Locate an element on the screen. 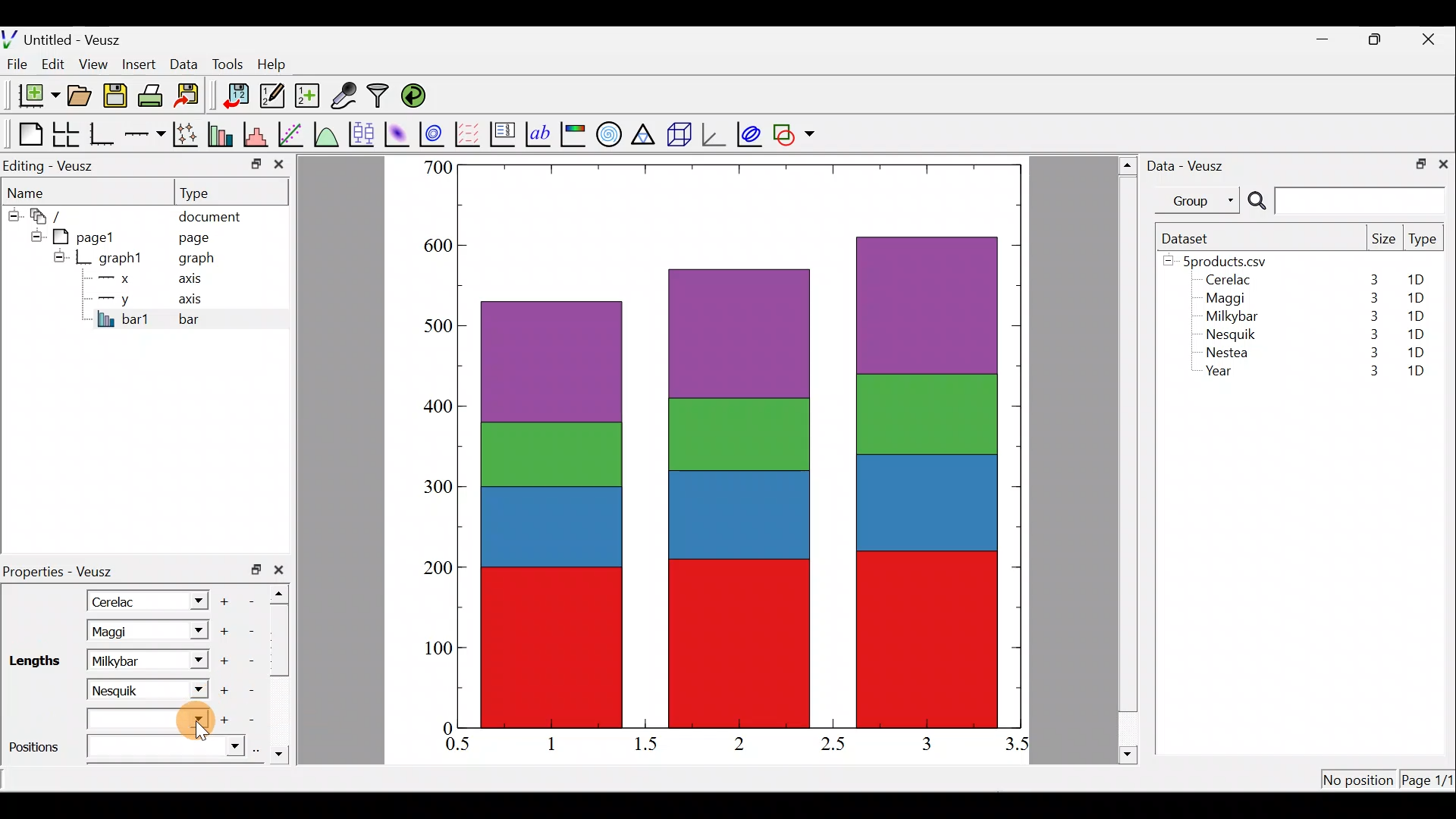  Fit a function to data is located at coordinates (292, 133).